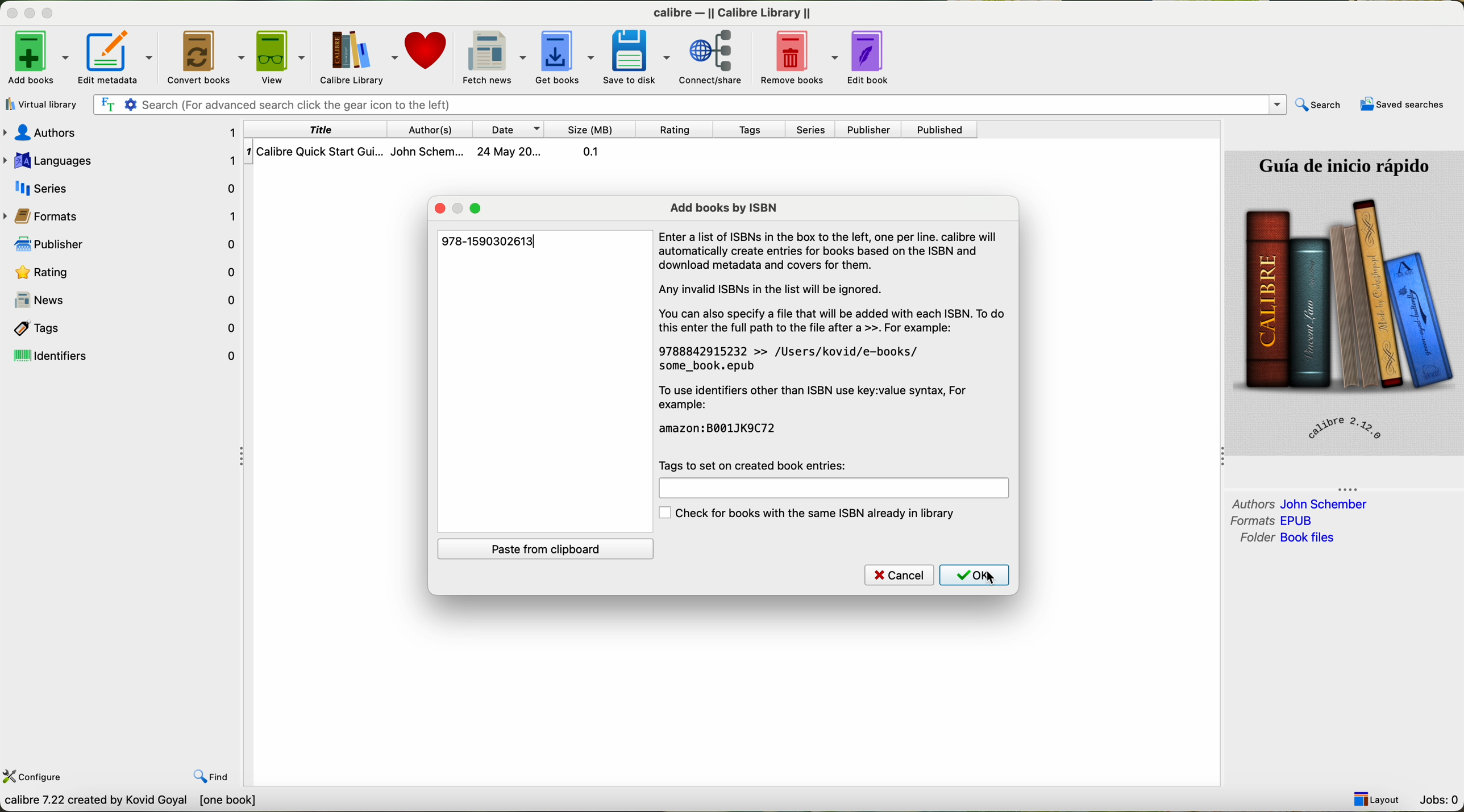 This screenshot has width=1464, height=812. I want to click on rating, so click(675, 130).